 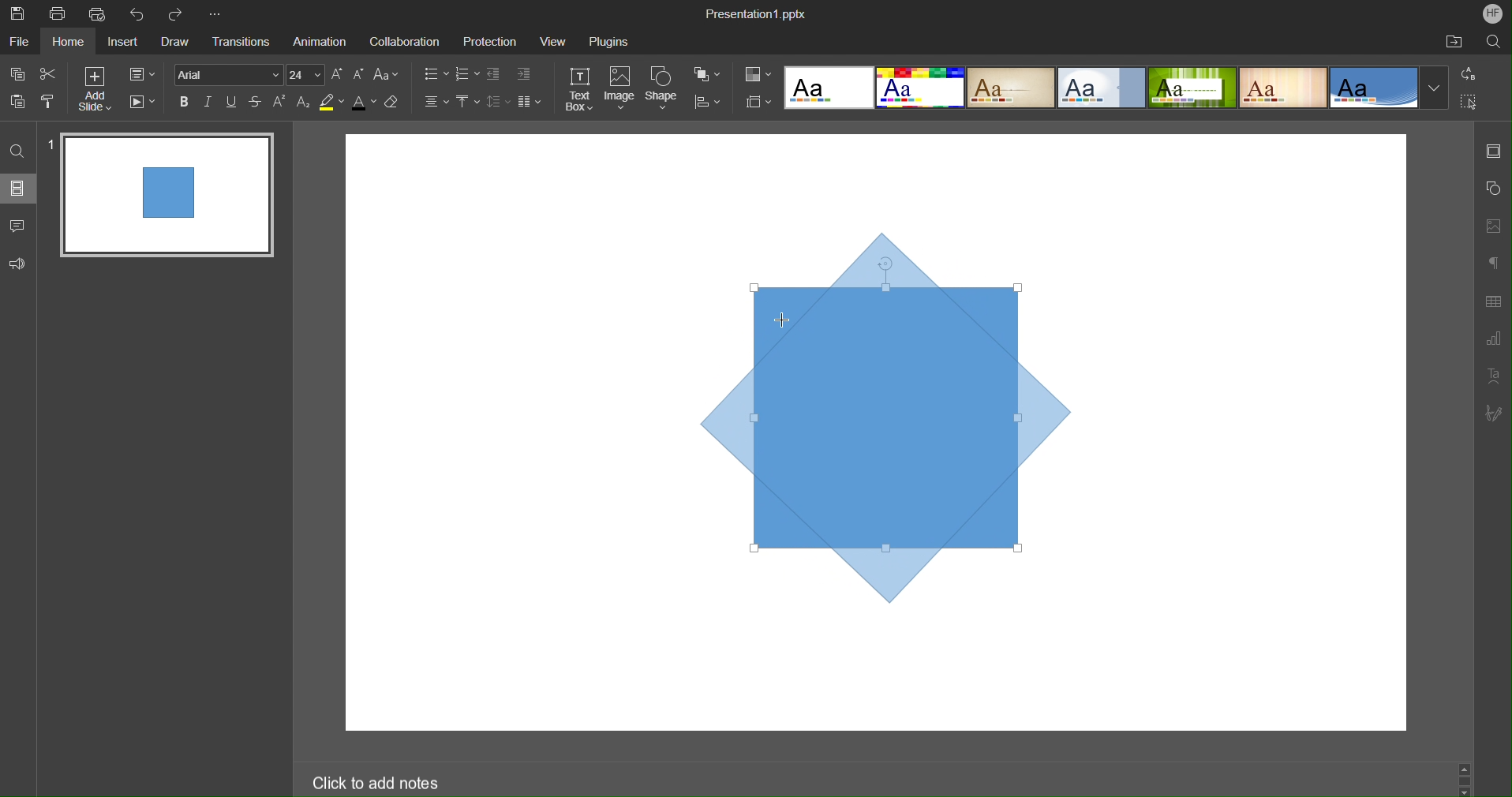 What do you see at coordinates (69, 41) in the screenshot?
I see `Home` at bounding box center [69, 41].